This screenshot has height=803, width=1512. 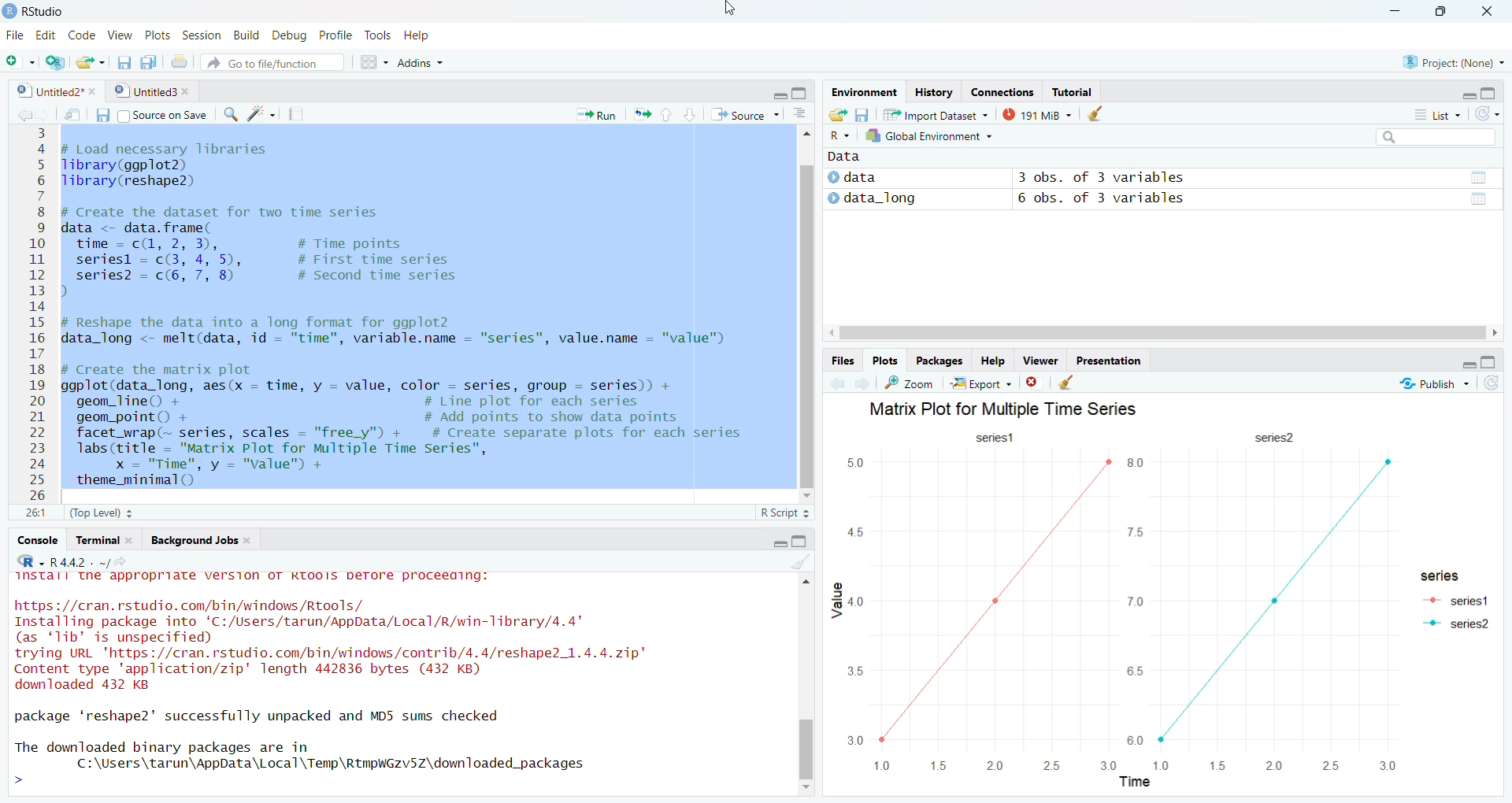 I want to click on Connections, so click(x=1000, y=92).